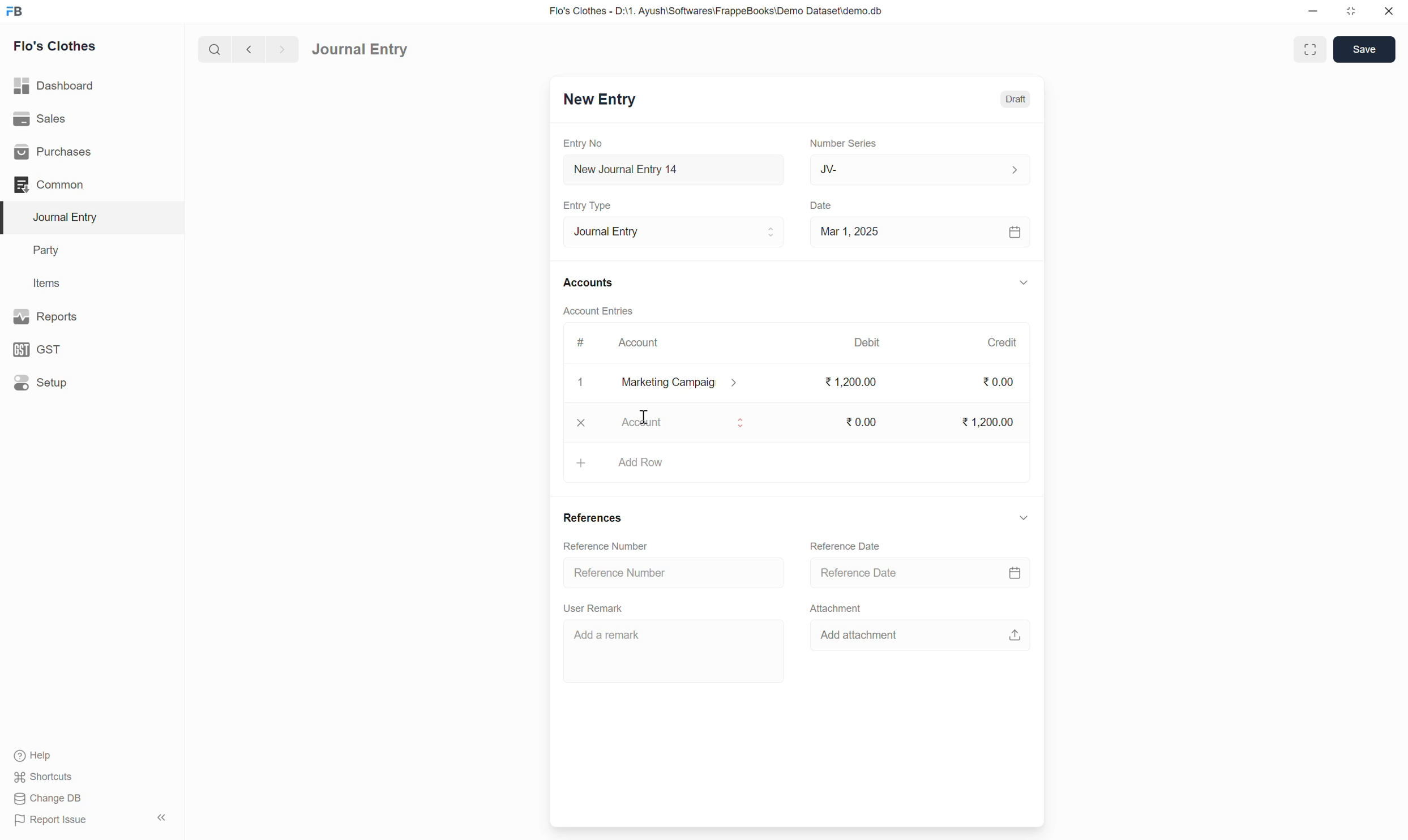  I want to click on Help, so click(36, 756).